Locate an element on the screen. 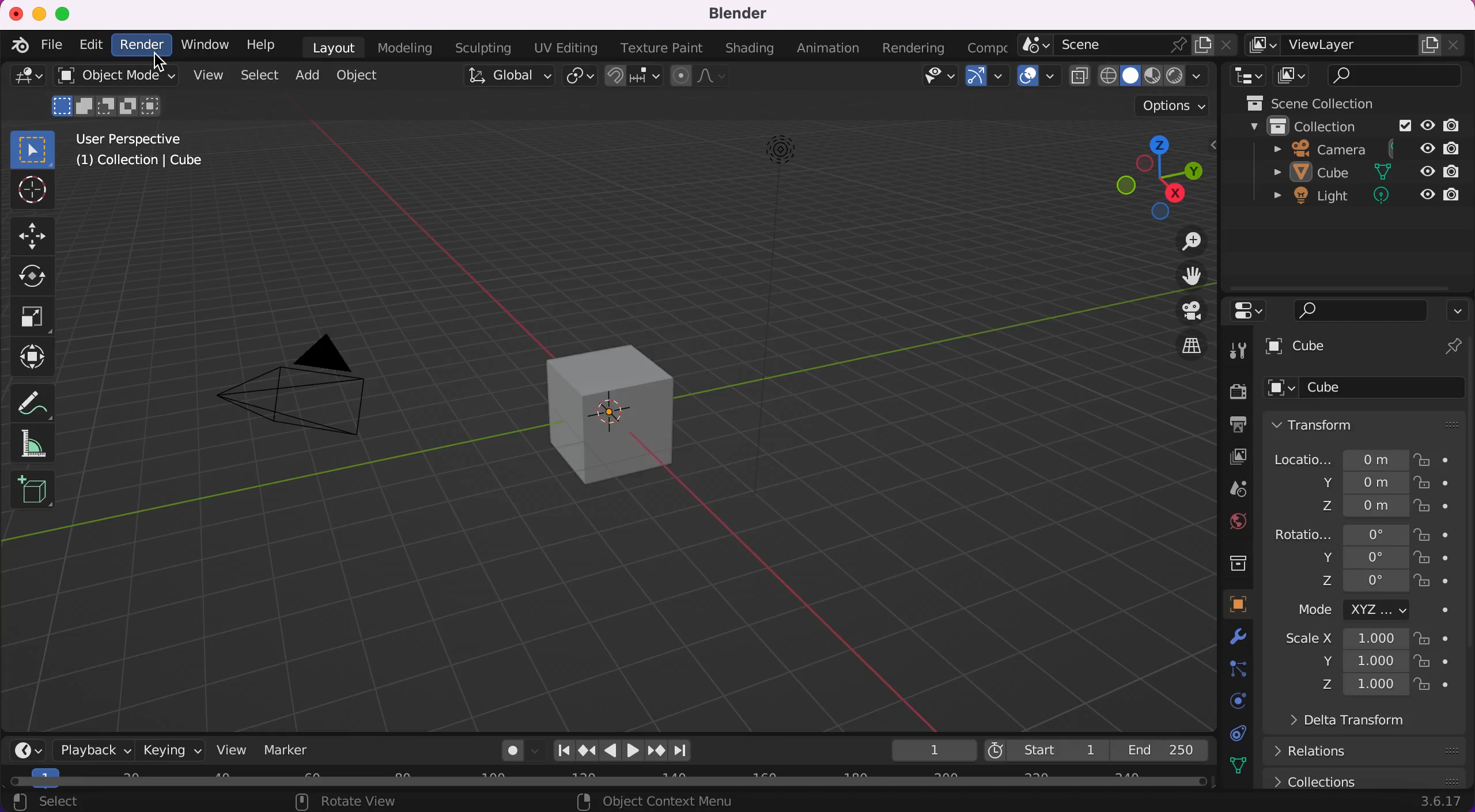  file is located at coordinates (51, 43).